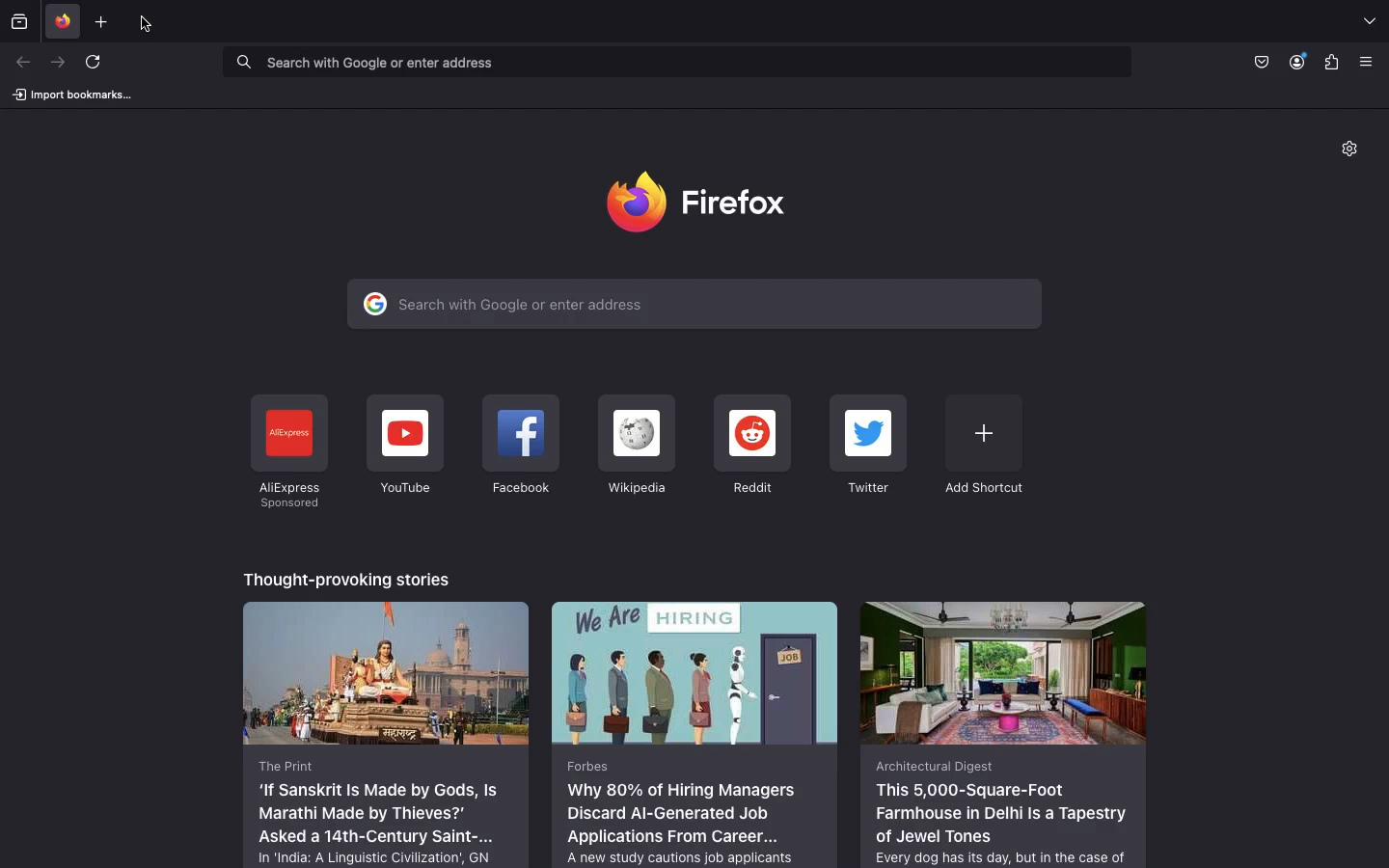 The width and height of the screenshot is (1389, 868). I want to click on Forbes

‘Why 80% of Hiring Managers
Discard Al-Generated Job
Applications From Career...

A new study cautions job applicants, so click(696, 733).